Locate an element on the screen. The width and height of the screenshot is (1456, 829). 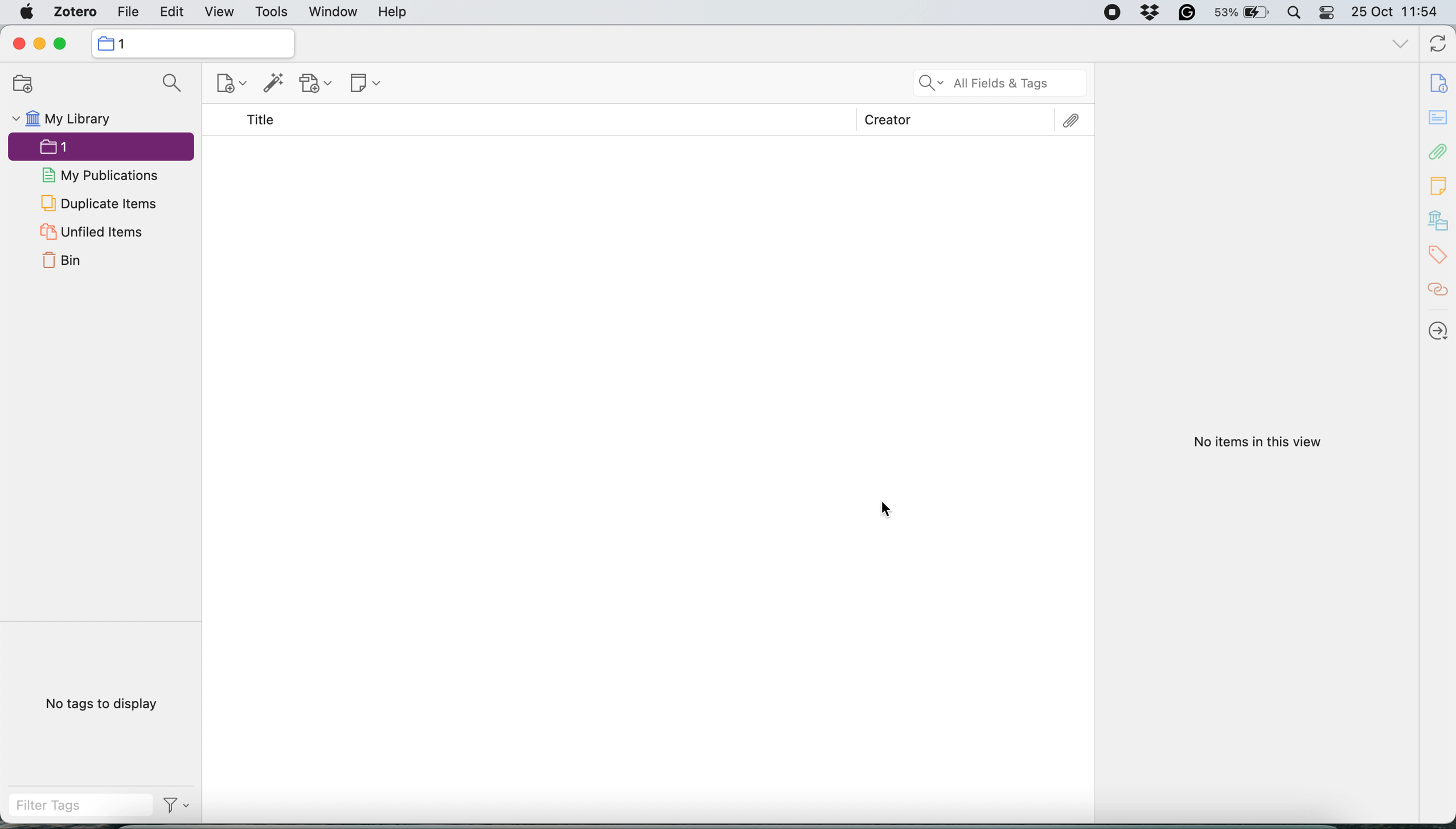
dropbox is located at coordinates (1150, 13).